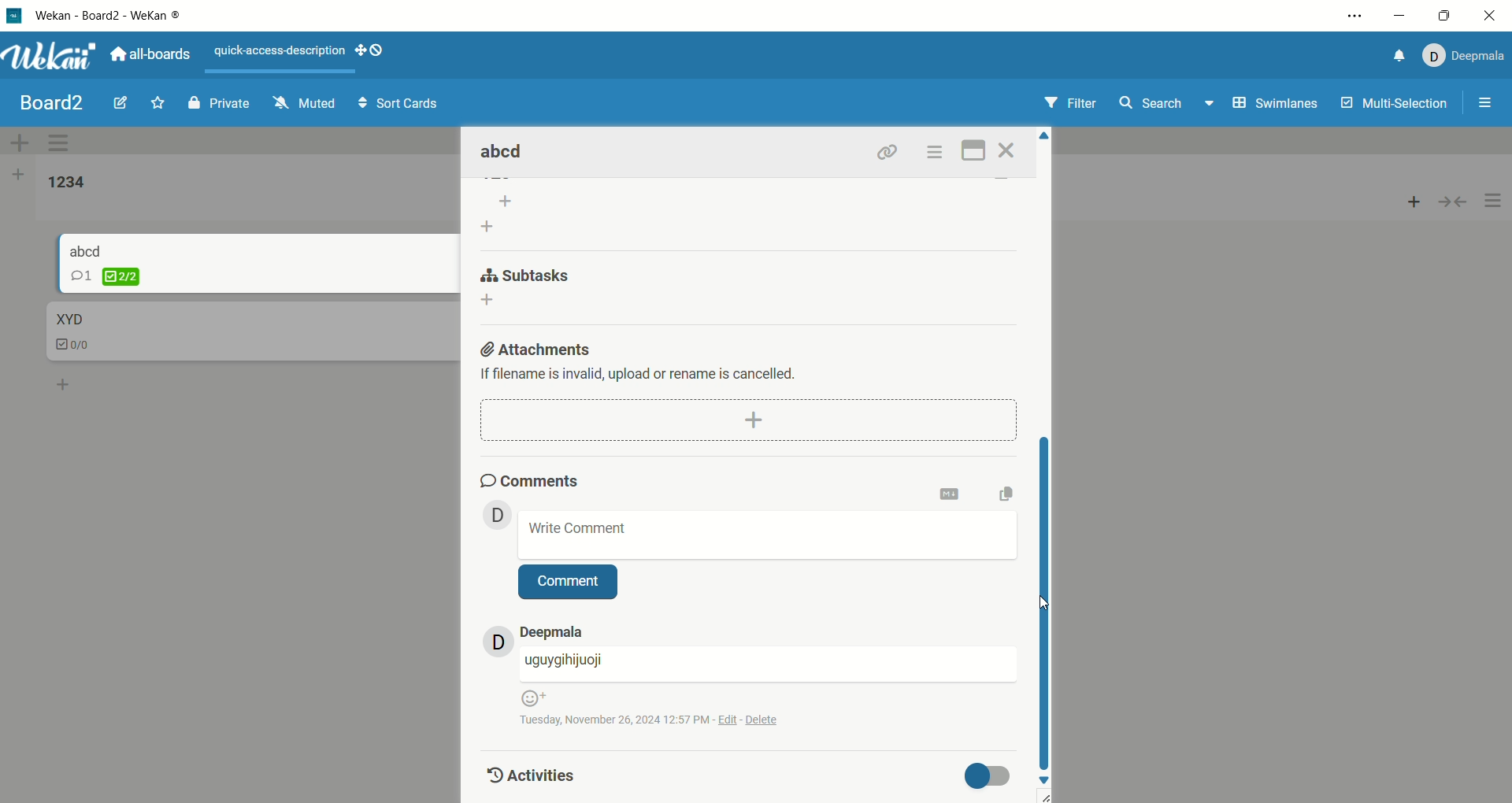 Image resolution: width=1512 pixels, height=803 pixels. I want to click on add, so click(1414, 198).